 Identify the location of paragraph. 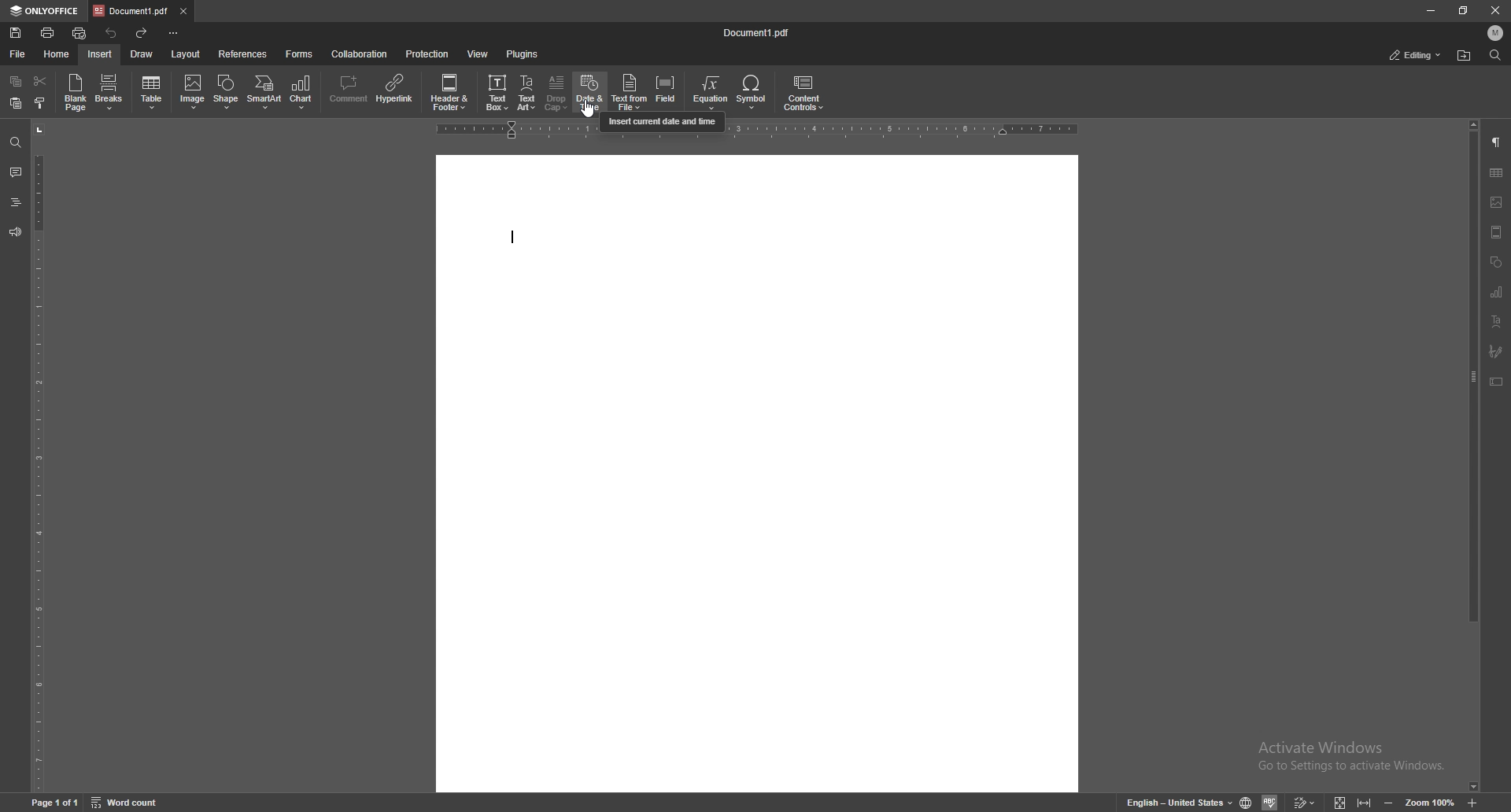
(1497, 144).